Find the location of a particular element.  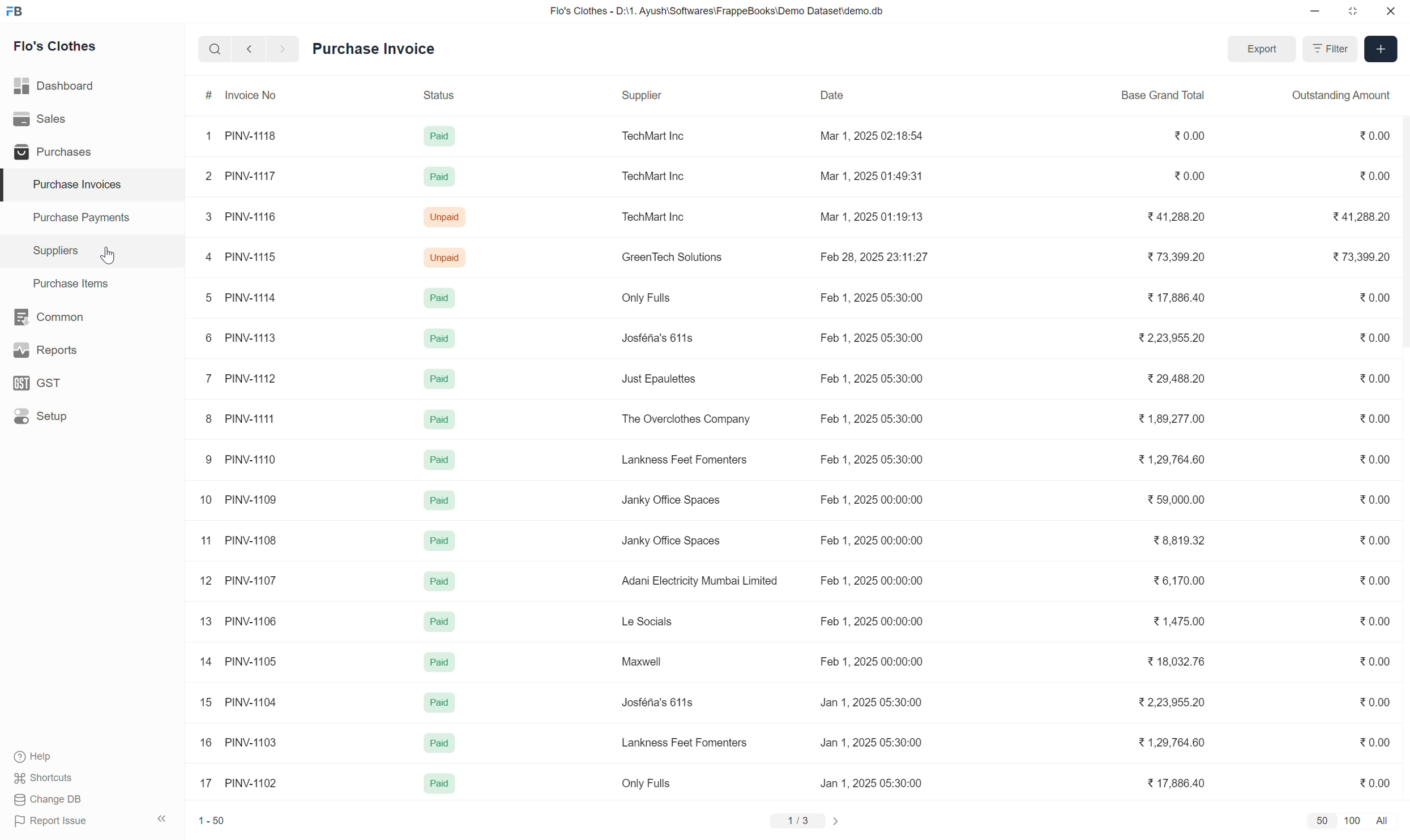

12 PINV-1107 is located at coordinates (233, 577).